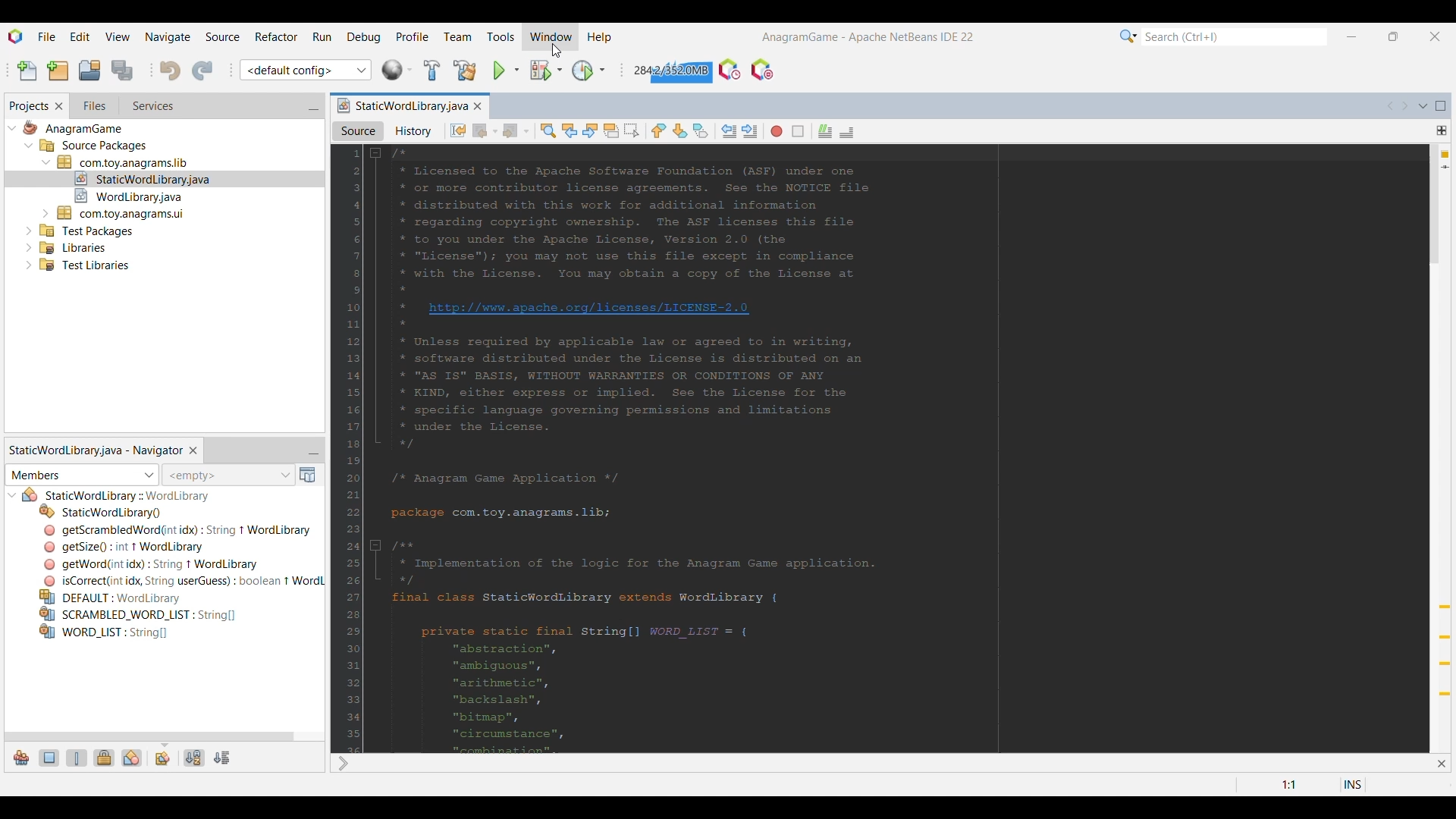 The width and height of the screenshot is (1456, 819). What do you see at coordinates (117, 597) in the screenshot?
I see `` at bounding box center [117, 597].